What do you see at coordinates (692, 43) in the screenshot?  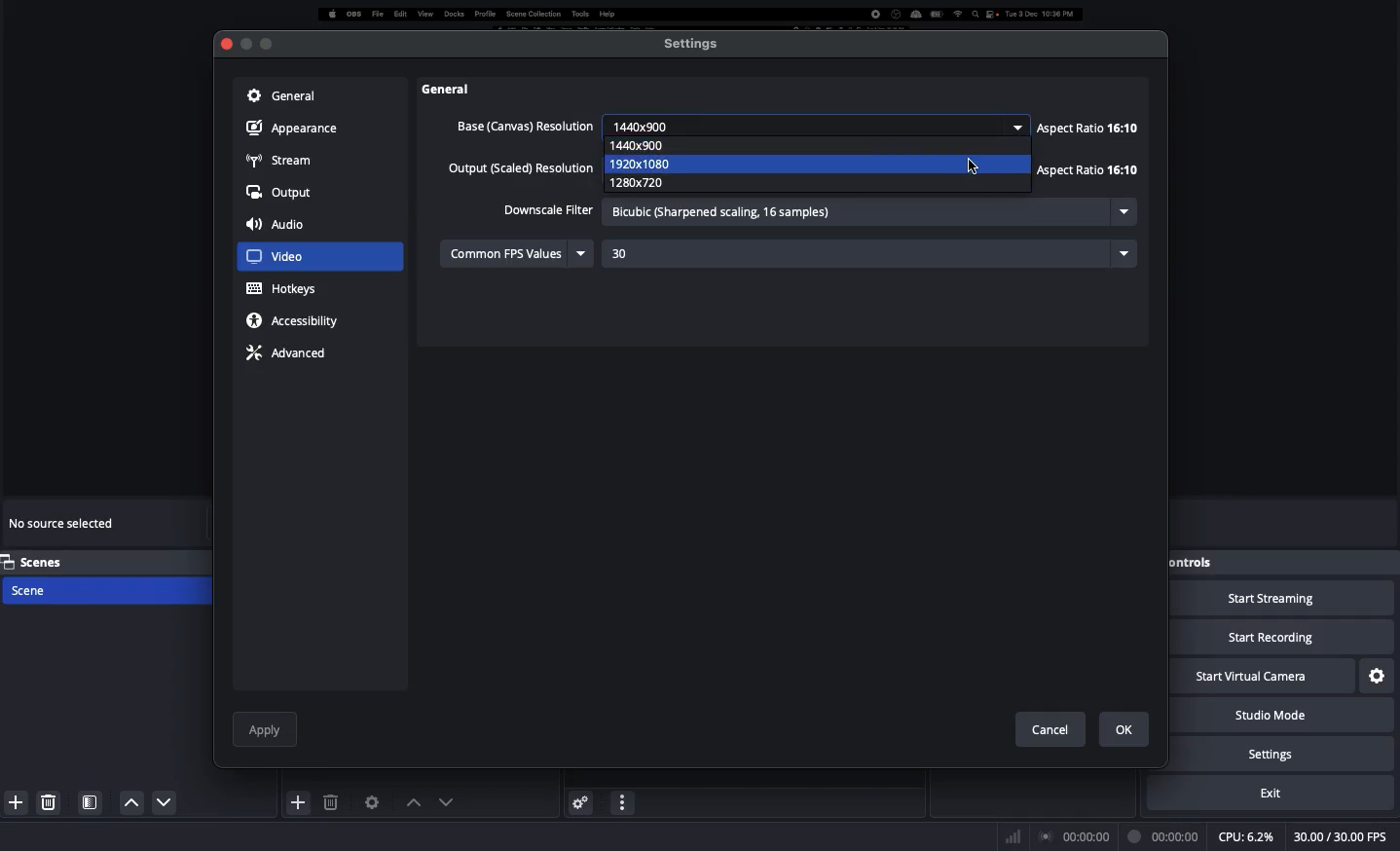 I see `Settings` at bounding box center [692, 43].